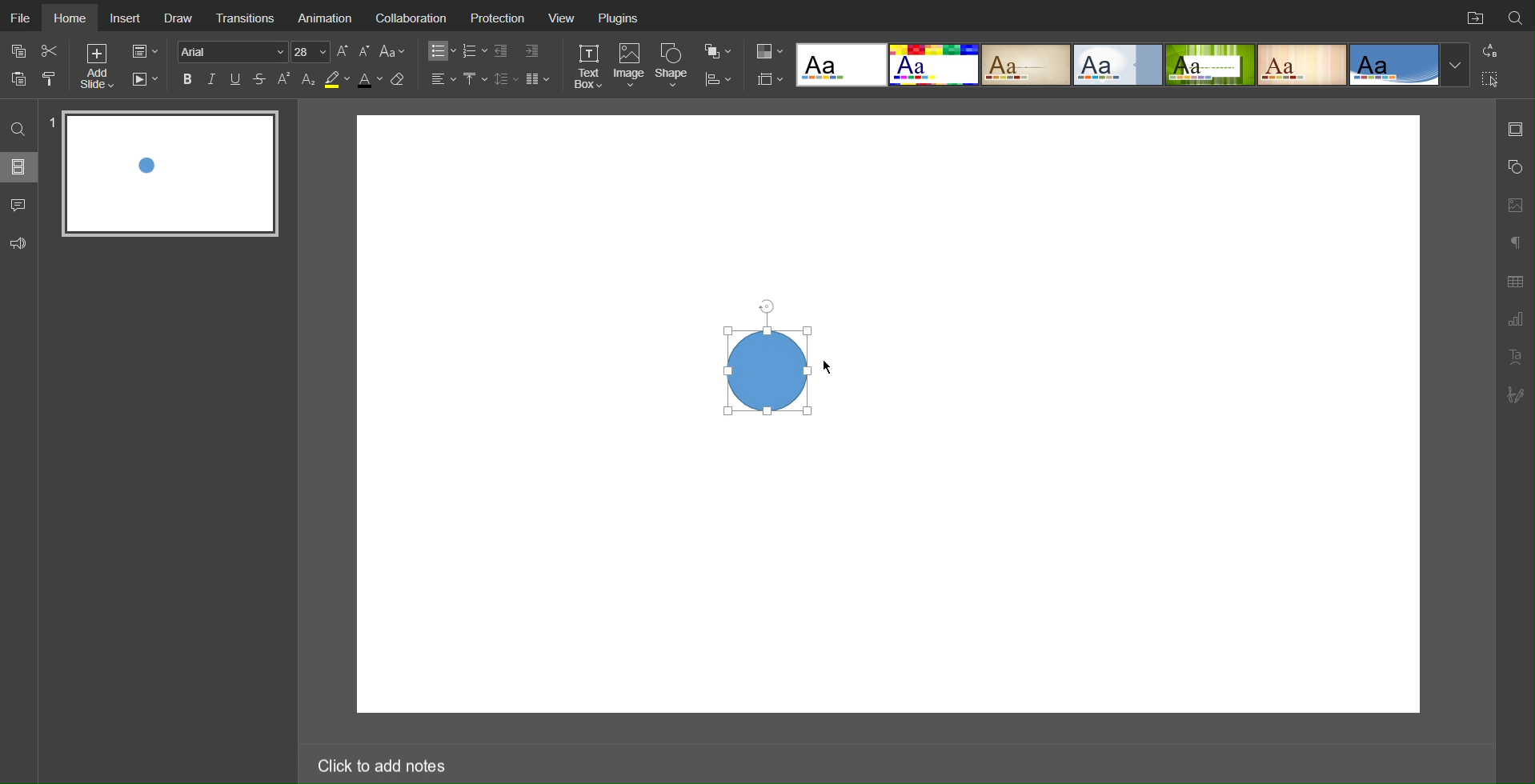 This screenshot has width=1535, height=784. Describe the element at coordinates (237, 79) in the screenshot. I see `Underline` at that location.